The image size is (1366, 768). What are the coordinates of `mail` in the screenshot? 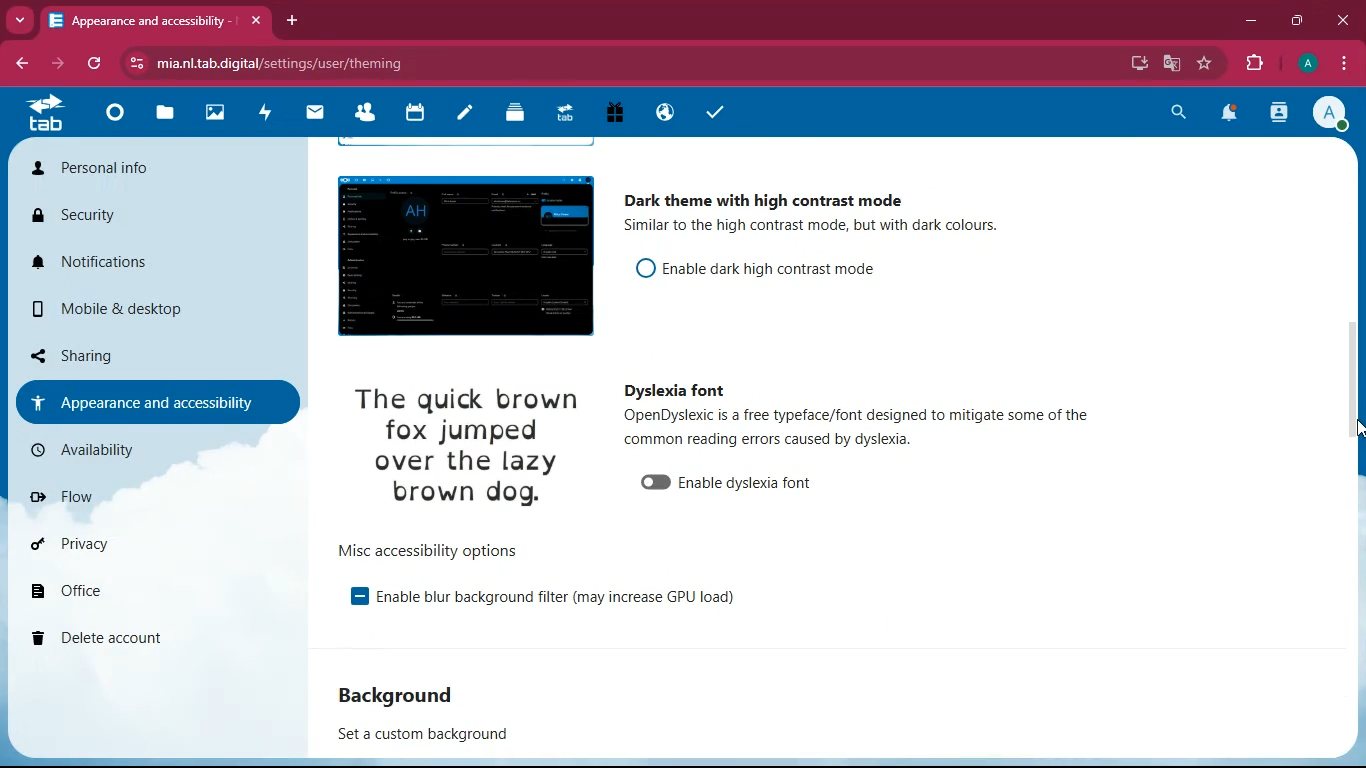 It's located at (320, 112).